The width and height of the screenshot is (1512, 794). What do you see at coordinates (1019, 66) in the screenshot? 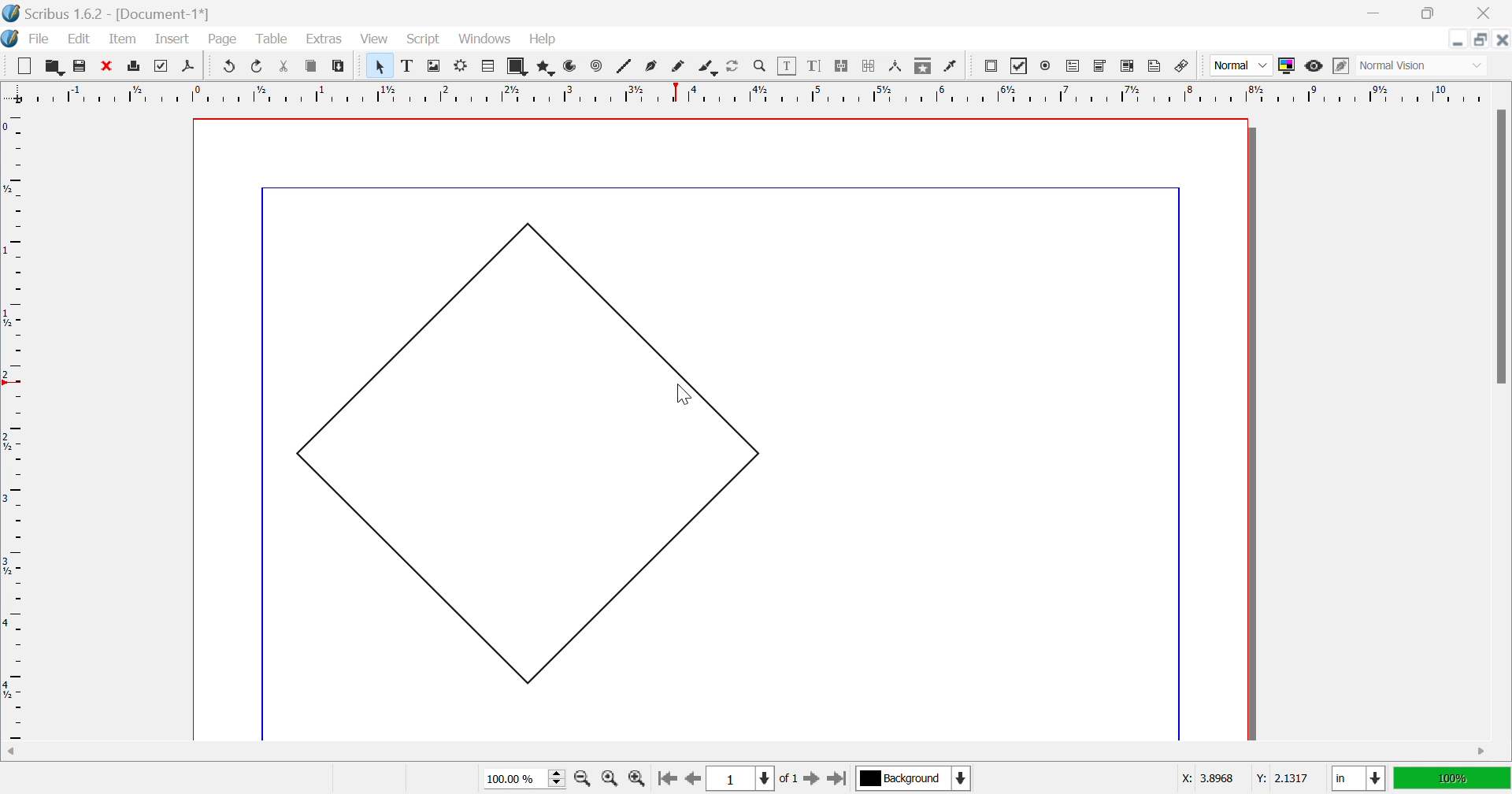
I see `PDF checkbox` at bounding box center [1019, 66].